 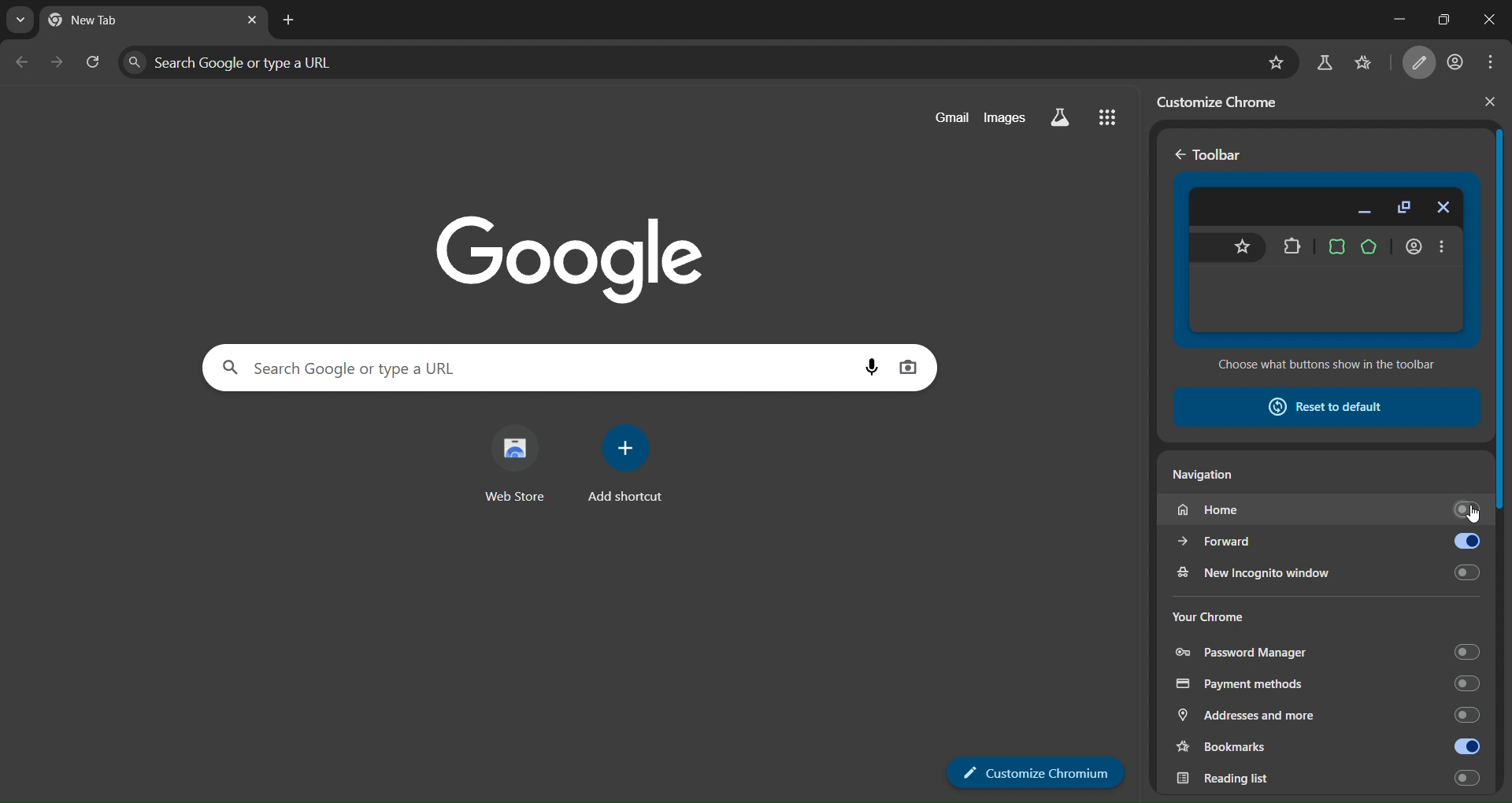 What do you see at coordinates (1210, 477) in the screenshot?
I see `Navigation` at bounding box center [1210, 477].